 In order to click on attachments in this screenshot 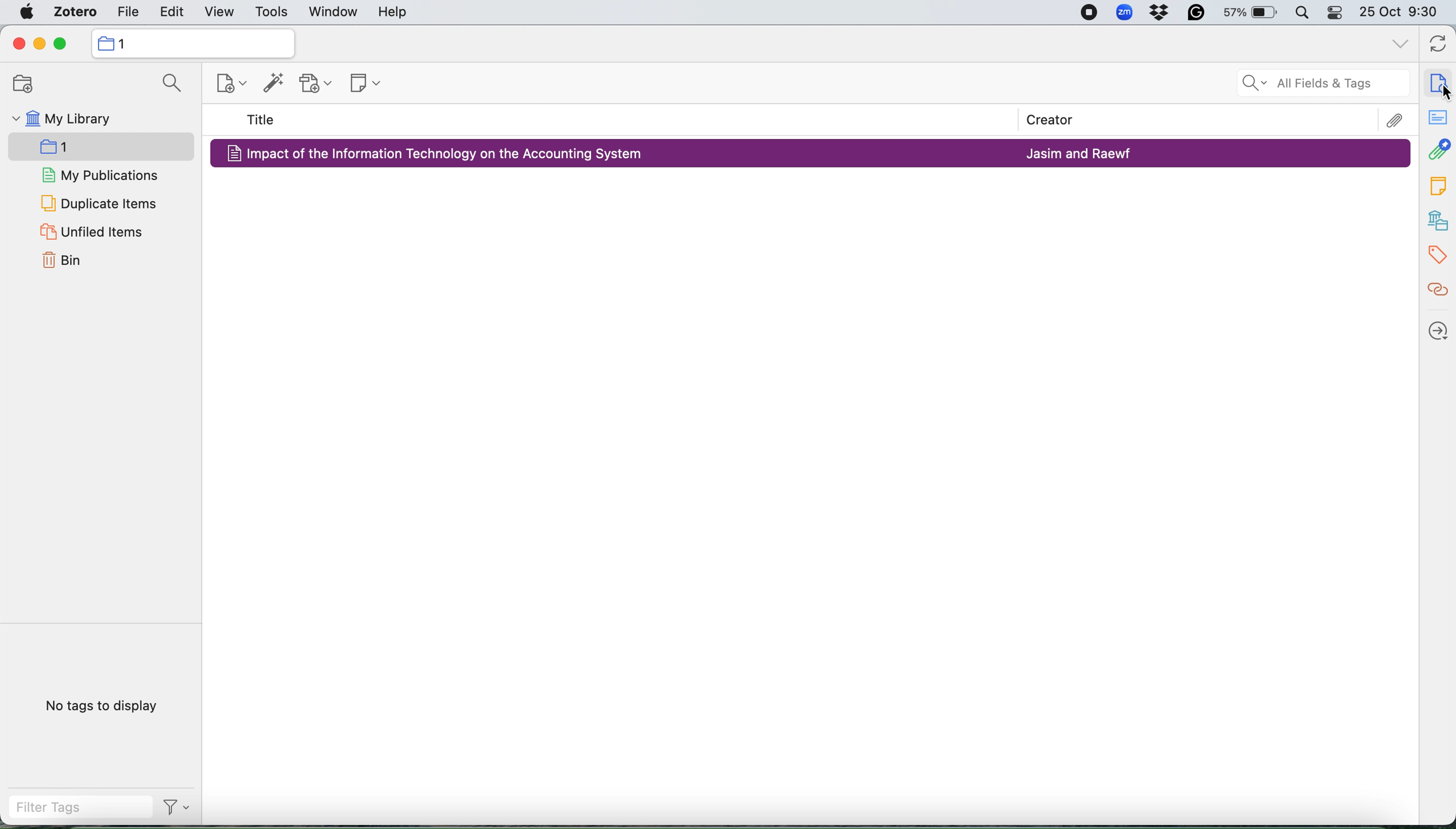, I will do `click(1438, 152)`.